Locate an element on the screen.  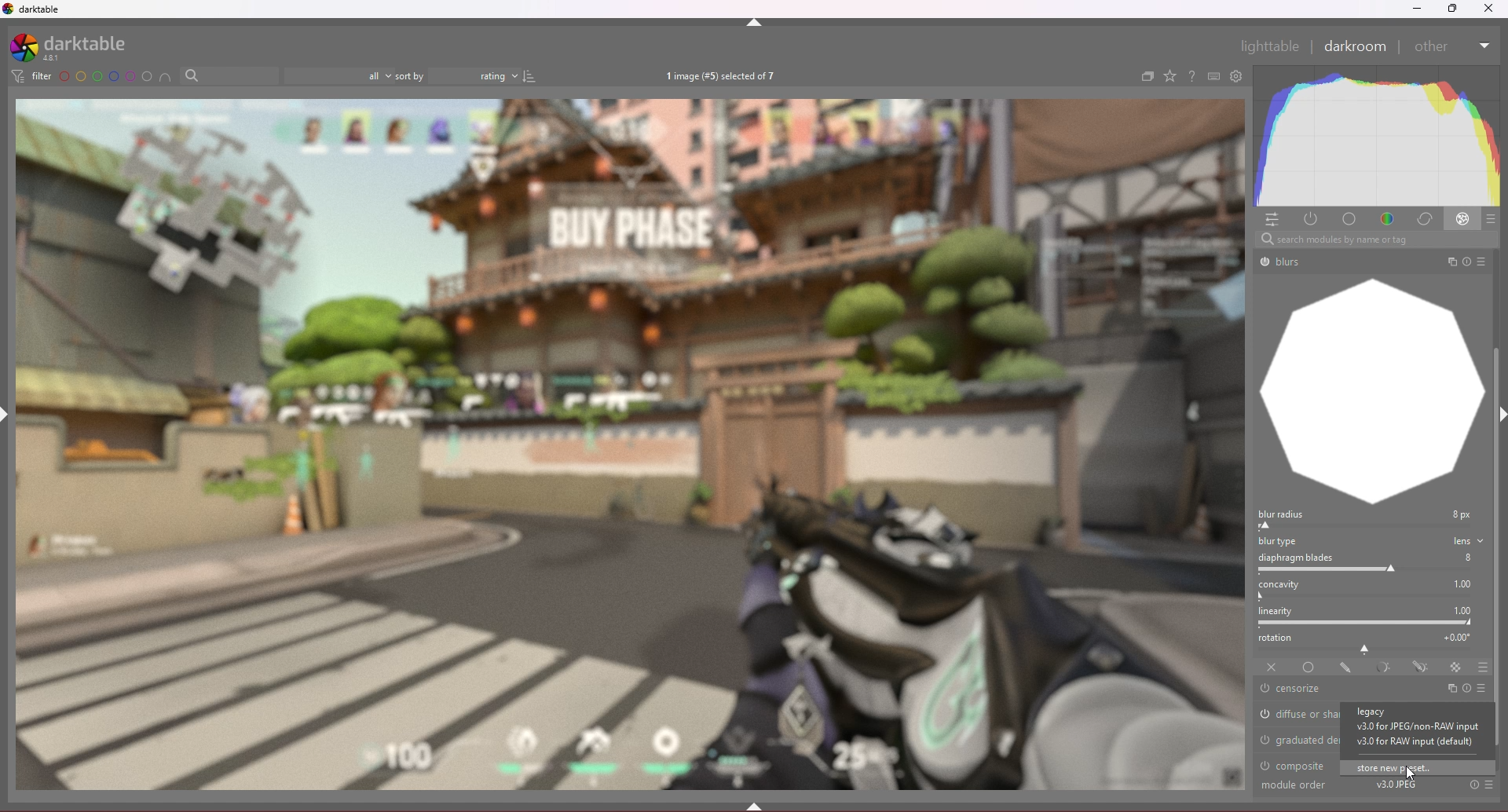
censorize is located at coordinates (1305, 689).